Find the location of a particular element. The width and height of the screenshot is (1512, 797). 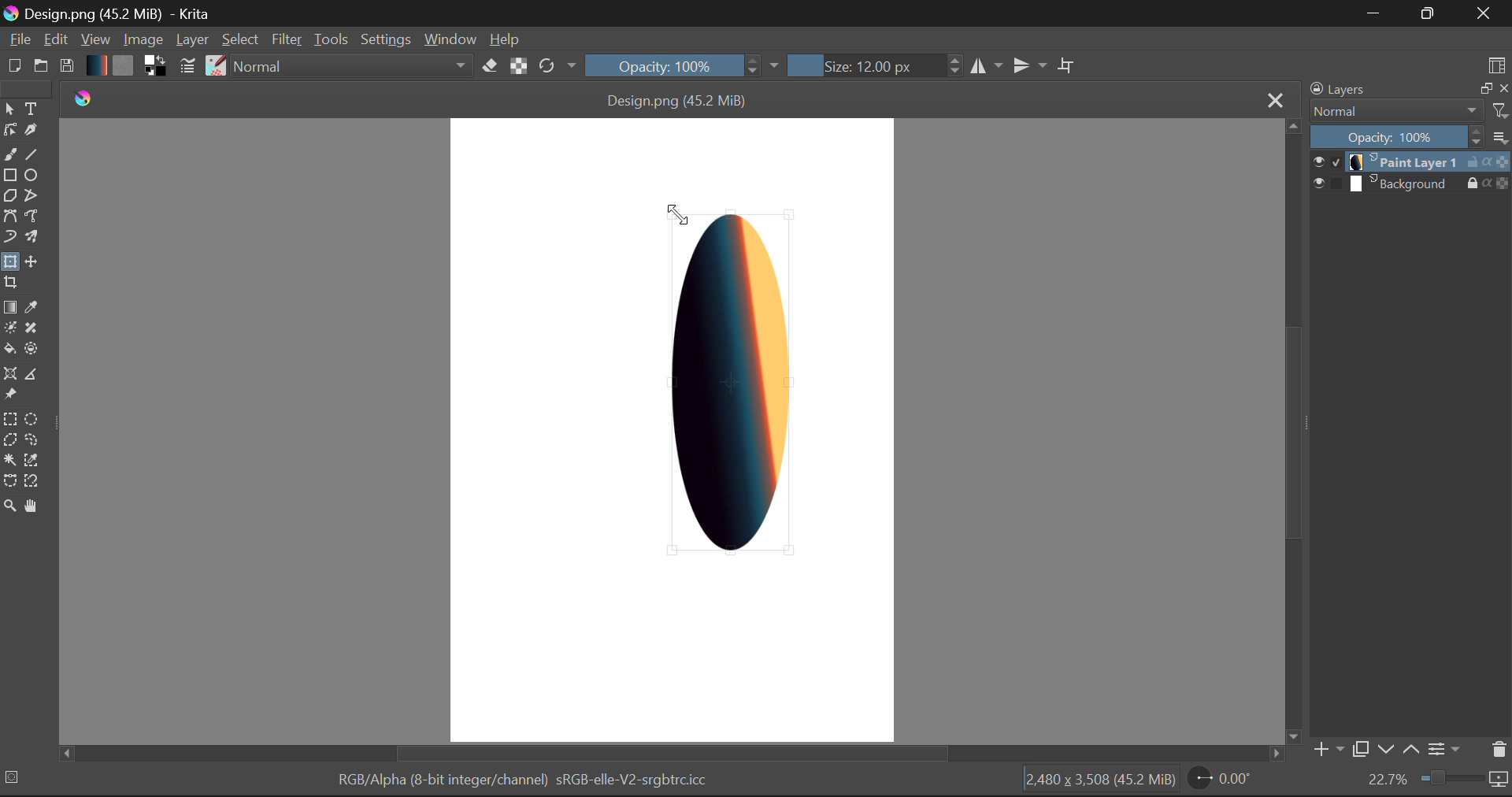

Settings is located at coordinates (1447, 751).